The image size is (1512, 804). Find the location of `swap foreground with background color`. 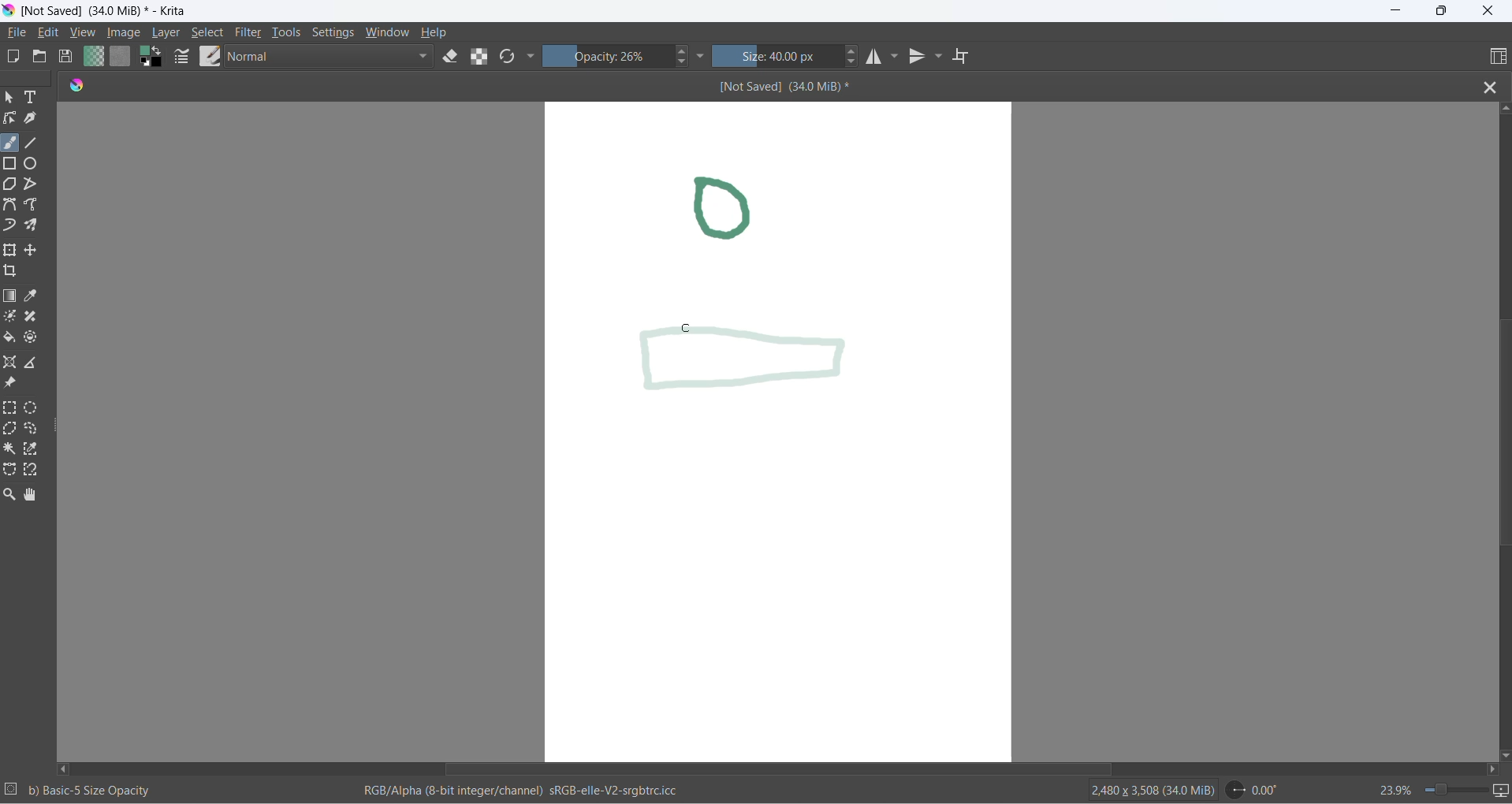

swap foreground with background color is located at coordinates (153, 57).